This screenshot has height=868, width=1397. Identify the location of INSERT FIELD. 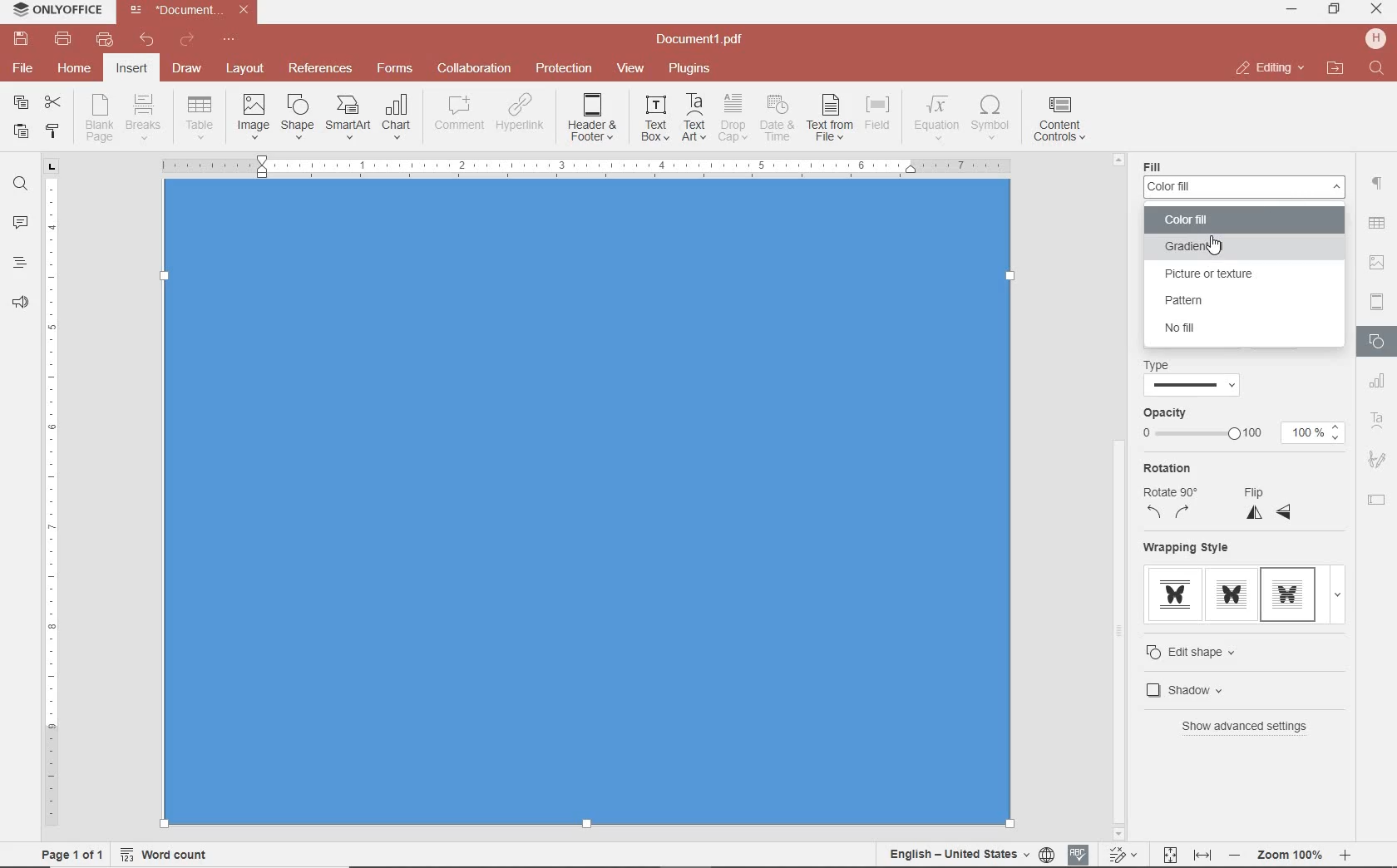
(879, 113).